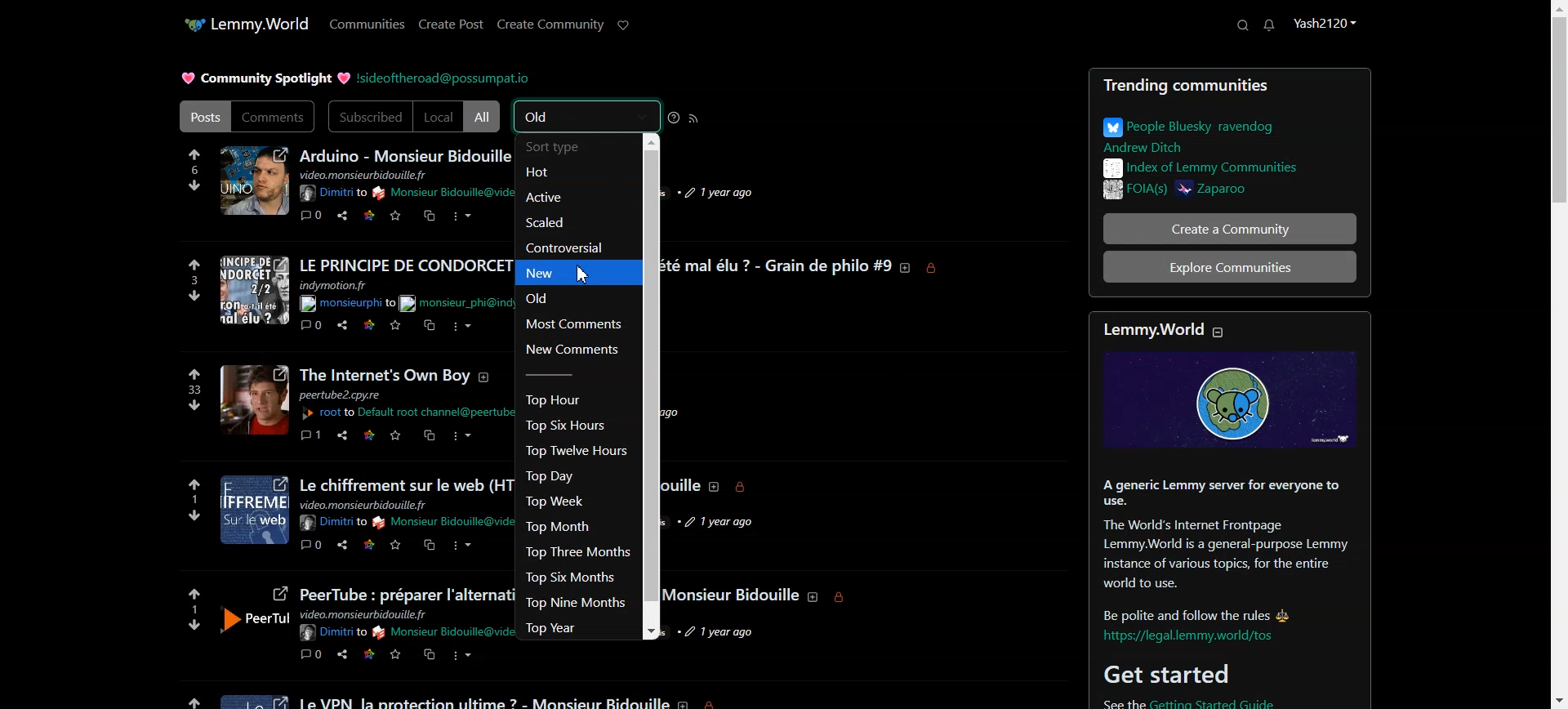 The width and height of the screenshot is (1568, 709). I want to click on , so click(335, 632).